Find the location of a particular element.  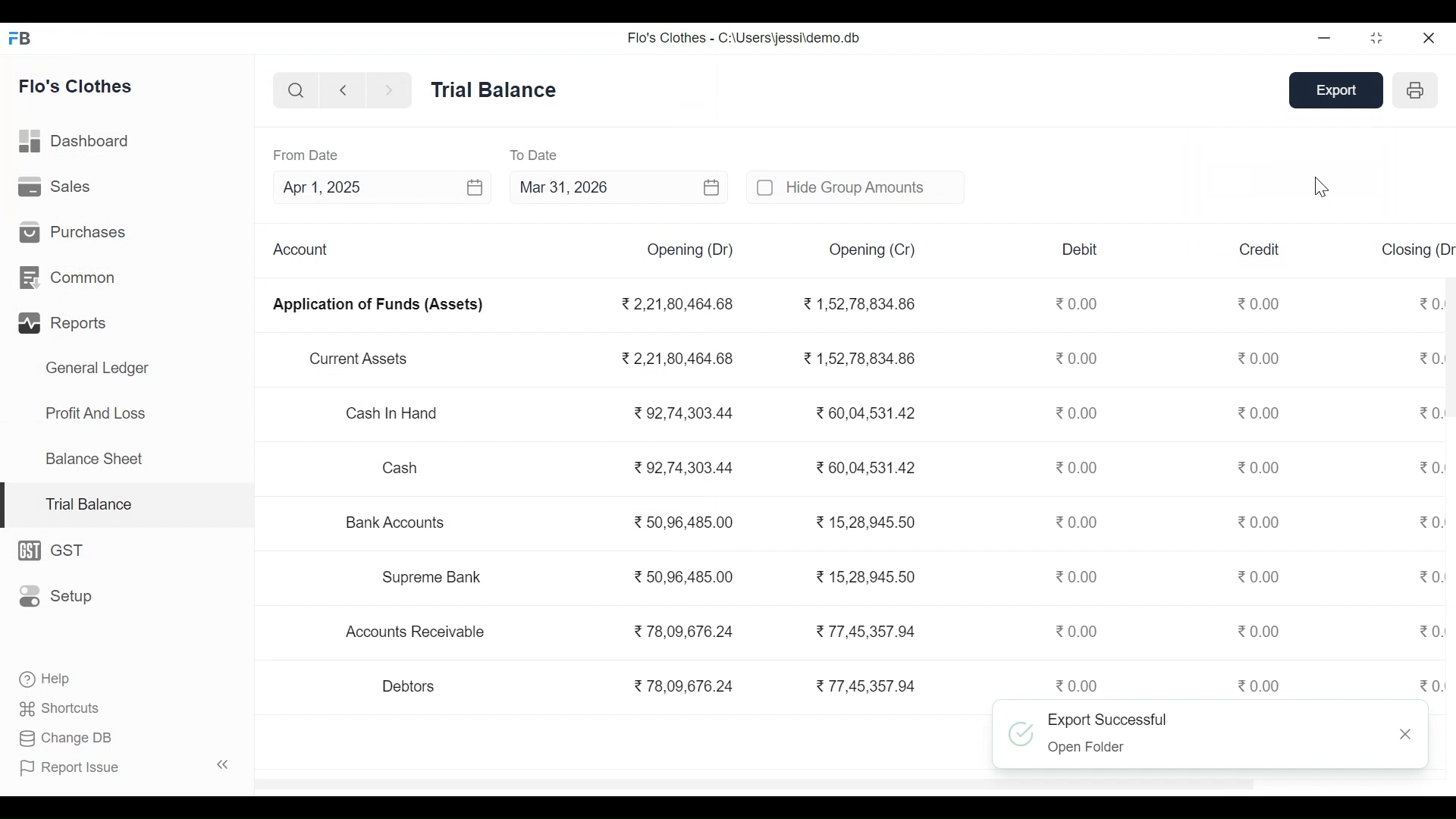

1,52,78,834.86 is located at coordinates (859, 359).